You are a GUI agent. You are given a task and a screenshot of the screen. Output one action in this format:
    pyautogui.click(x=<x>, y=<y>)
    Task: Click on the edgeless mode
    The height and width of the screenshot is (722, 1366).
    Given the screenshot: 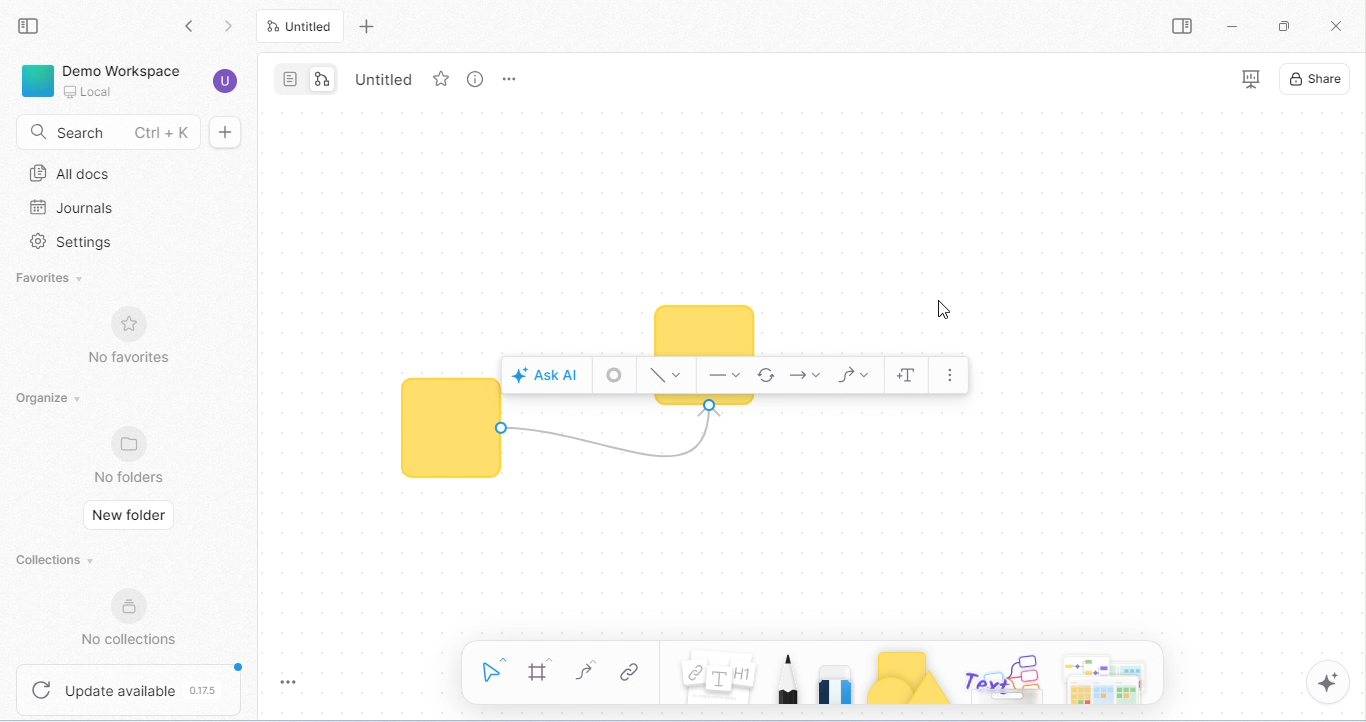 What is the action you would take?
    pyautogui.click(x=326, y=79)
    